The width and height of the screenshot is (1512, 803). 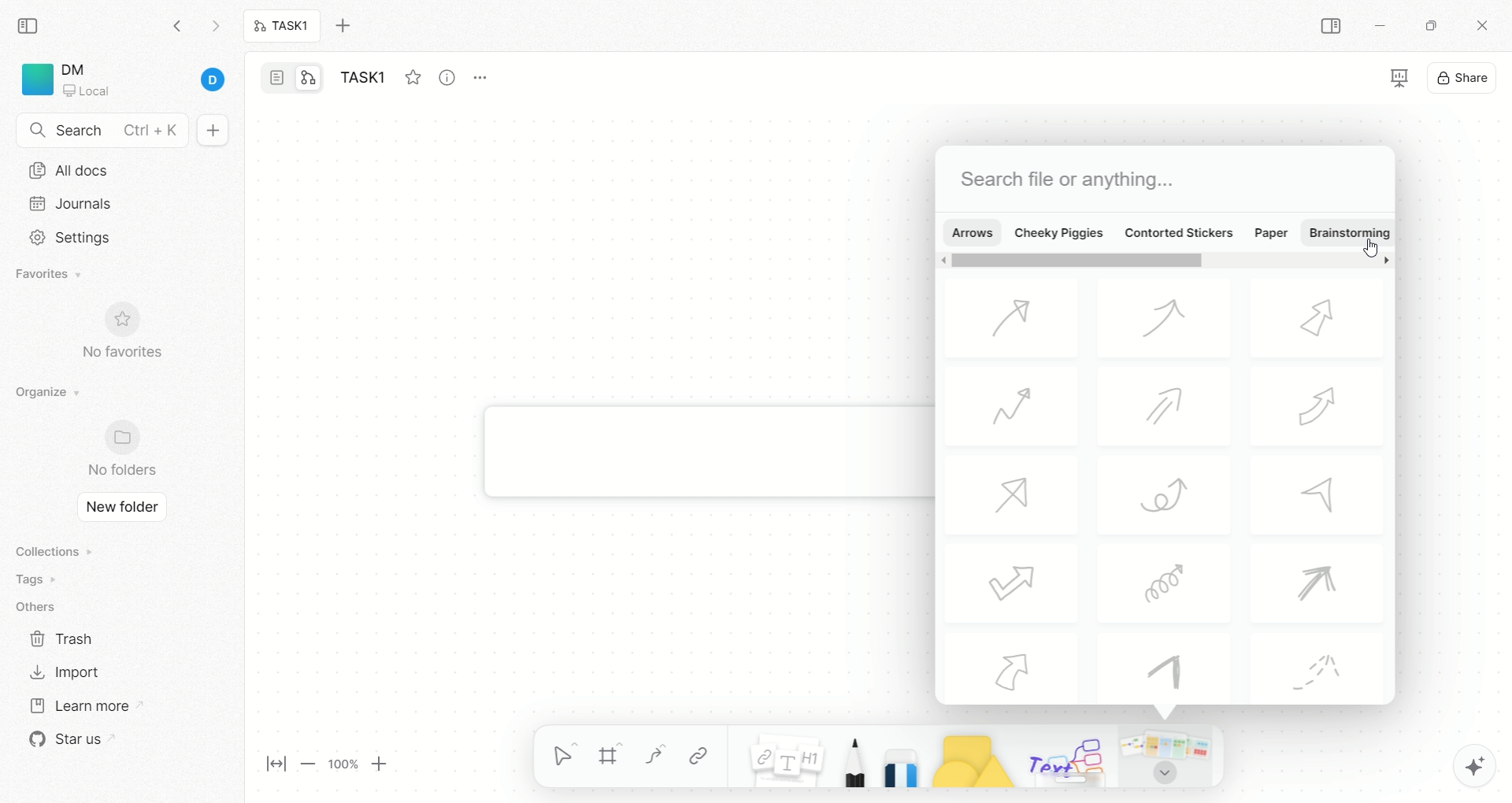 What do you see at coordinates (1179, 231) in the screenshot?
I see `contorted stickers` at bounding box center [1179, 231].